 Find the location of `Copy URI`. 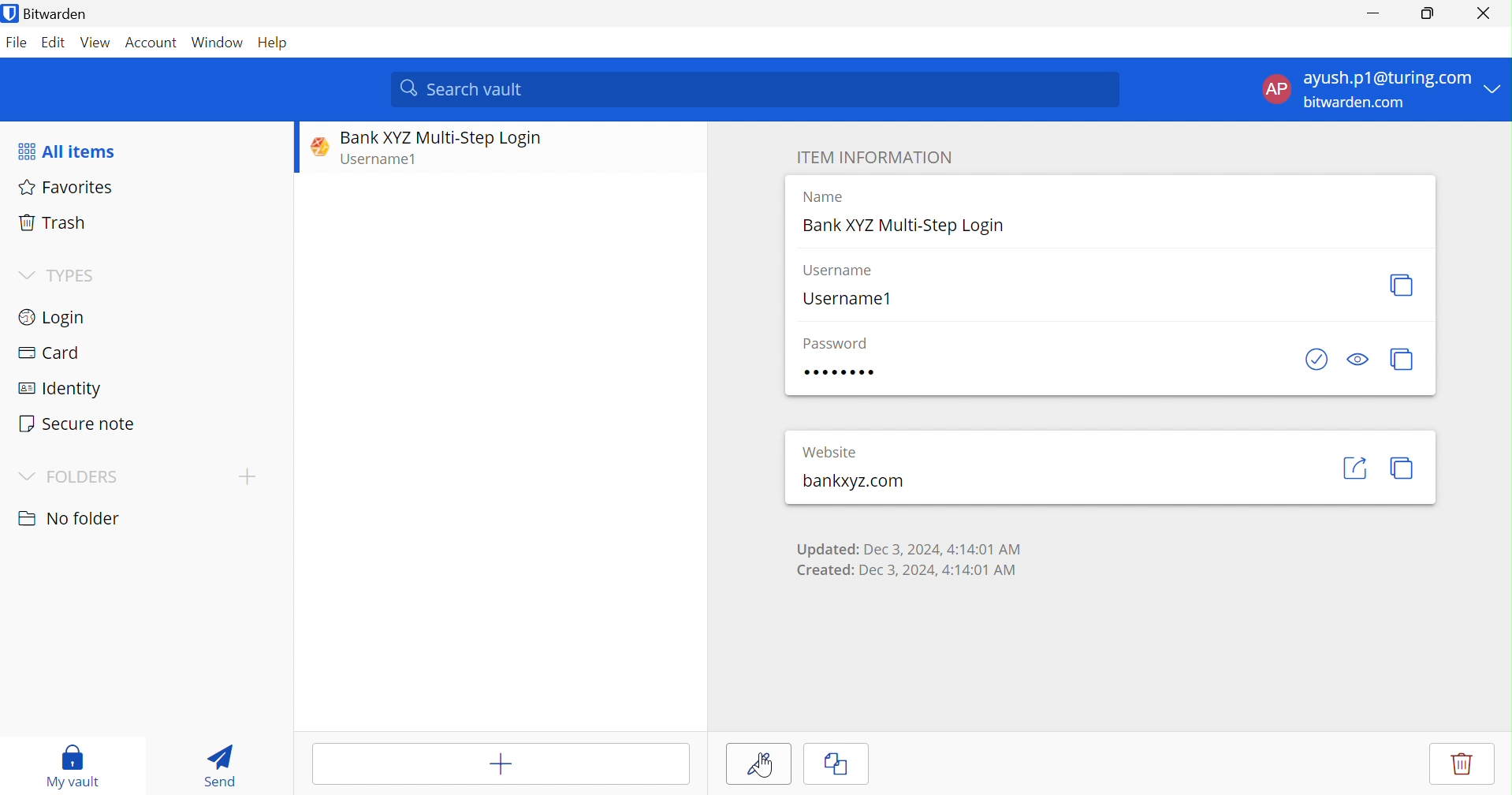

Copy URI is located at coordinates (1406, 468).